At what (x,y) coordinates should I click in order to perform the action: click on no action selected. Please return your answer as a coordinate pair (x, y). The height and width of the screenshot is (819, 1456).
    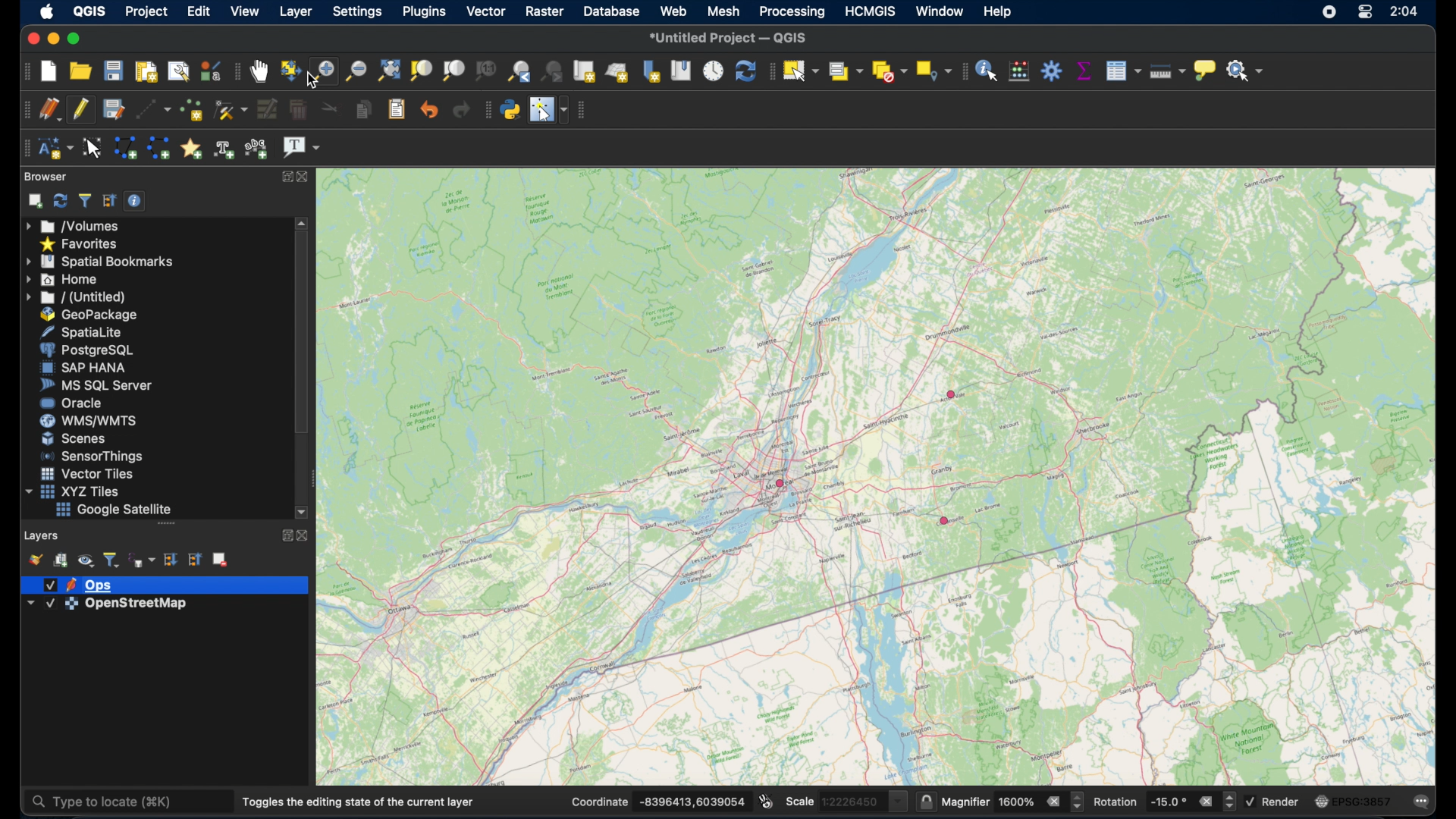
    Looking at the image, I should click on (1247, 73).